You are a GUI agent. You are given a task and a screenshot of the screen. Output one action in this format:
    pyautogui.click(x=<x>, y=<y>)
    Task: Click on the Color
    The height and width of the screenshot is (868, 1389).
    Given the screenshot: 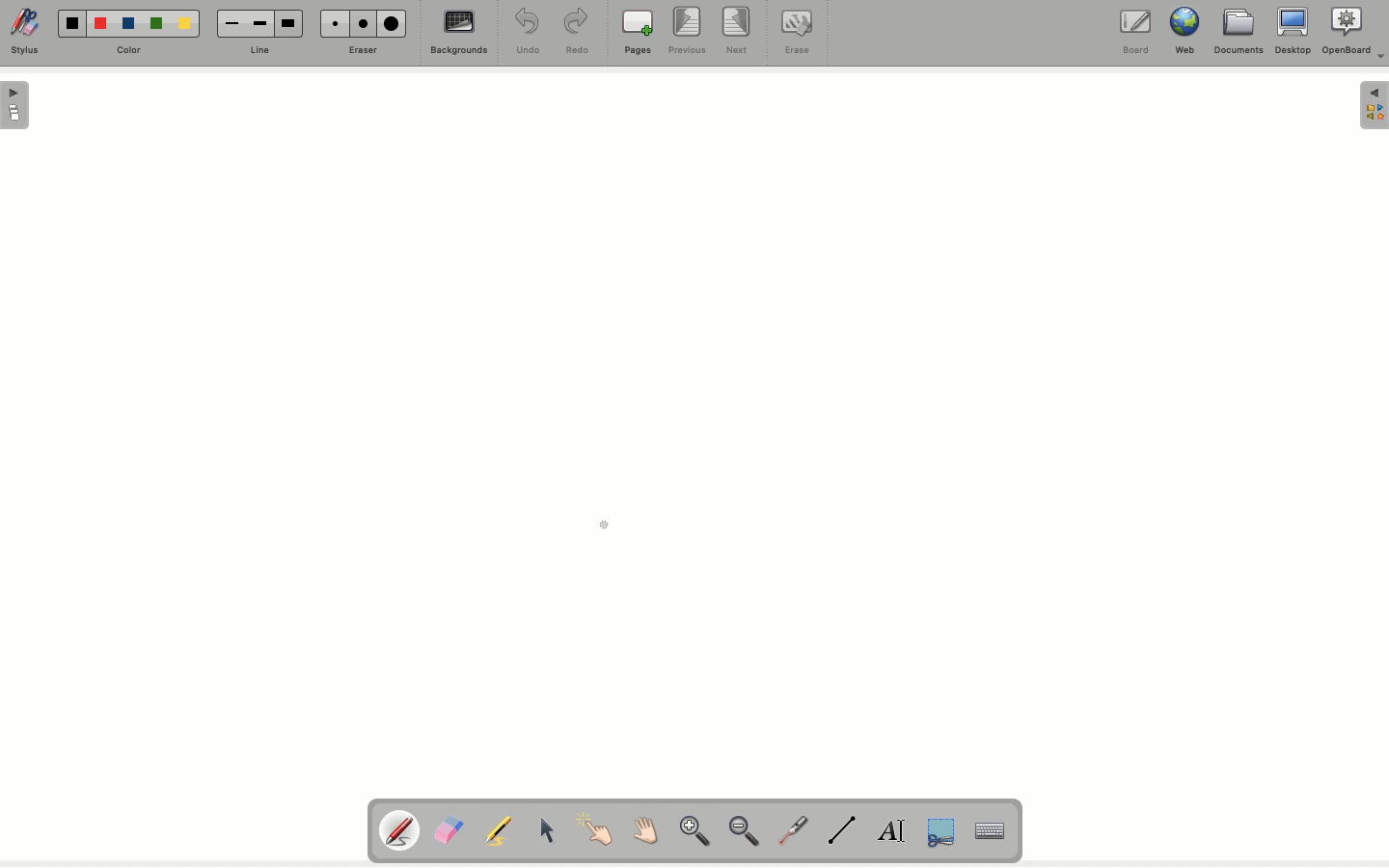 What is the action you would take?
    pyautogui.click(x=135, y=46)
    